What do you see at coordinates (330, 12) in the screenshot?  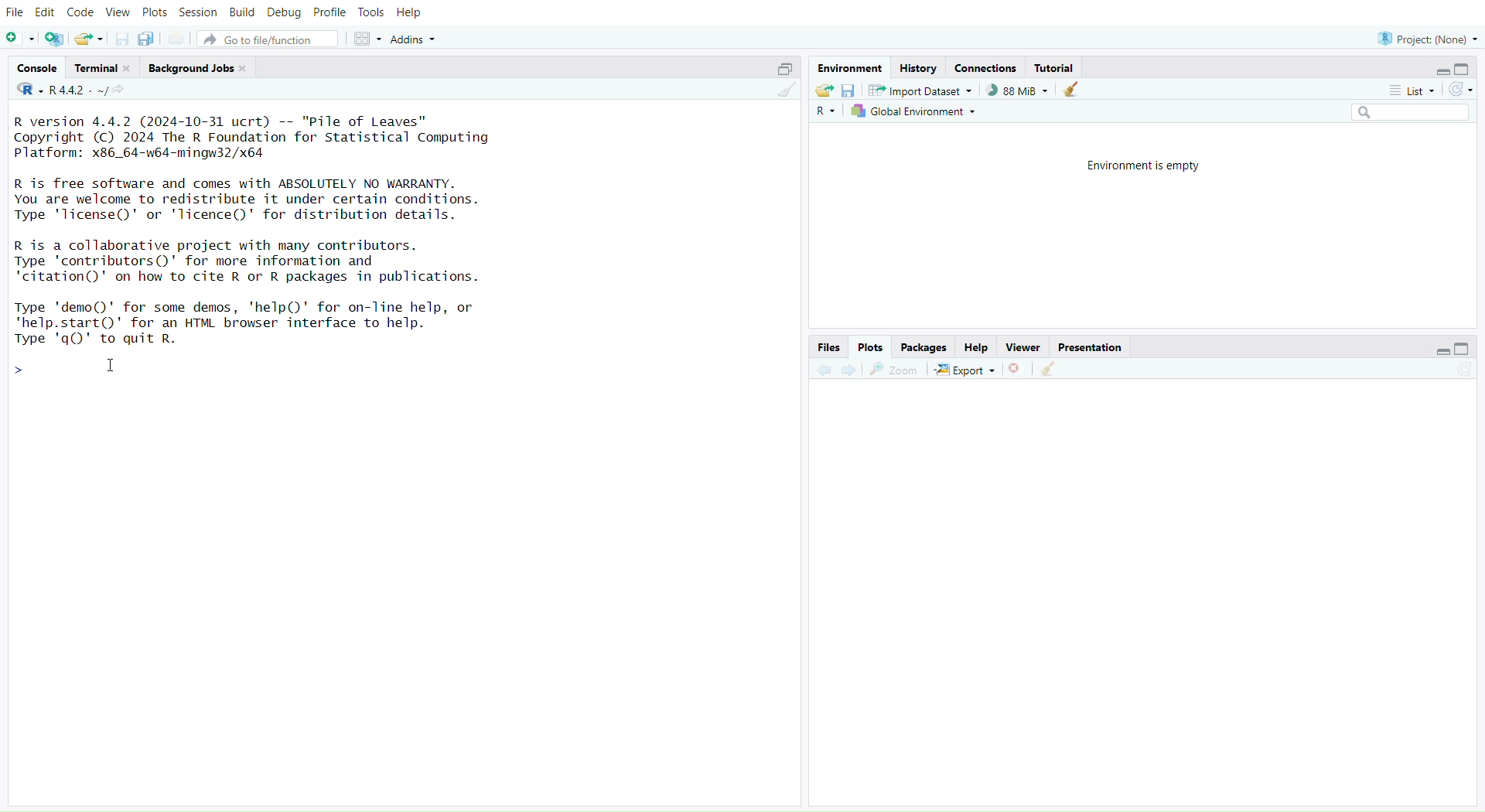 I see `profile` at bounding box center [330, 12].